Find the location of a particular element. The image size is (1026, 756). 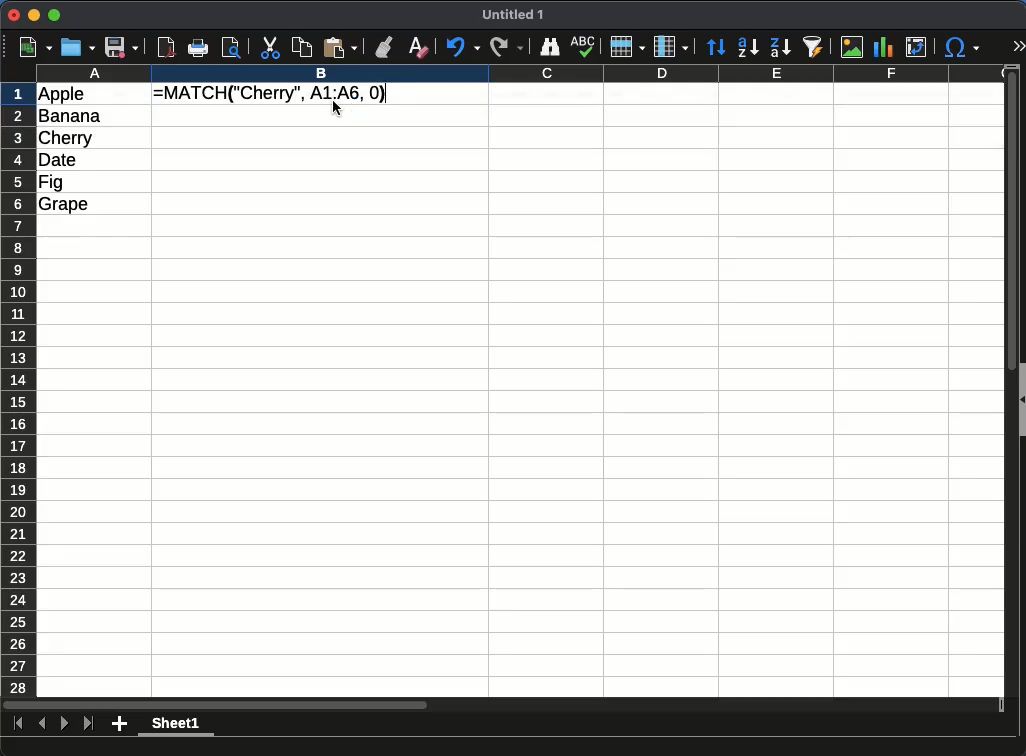

clone formatting is located at coordinates (384, 48).